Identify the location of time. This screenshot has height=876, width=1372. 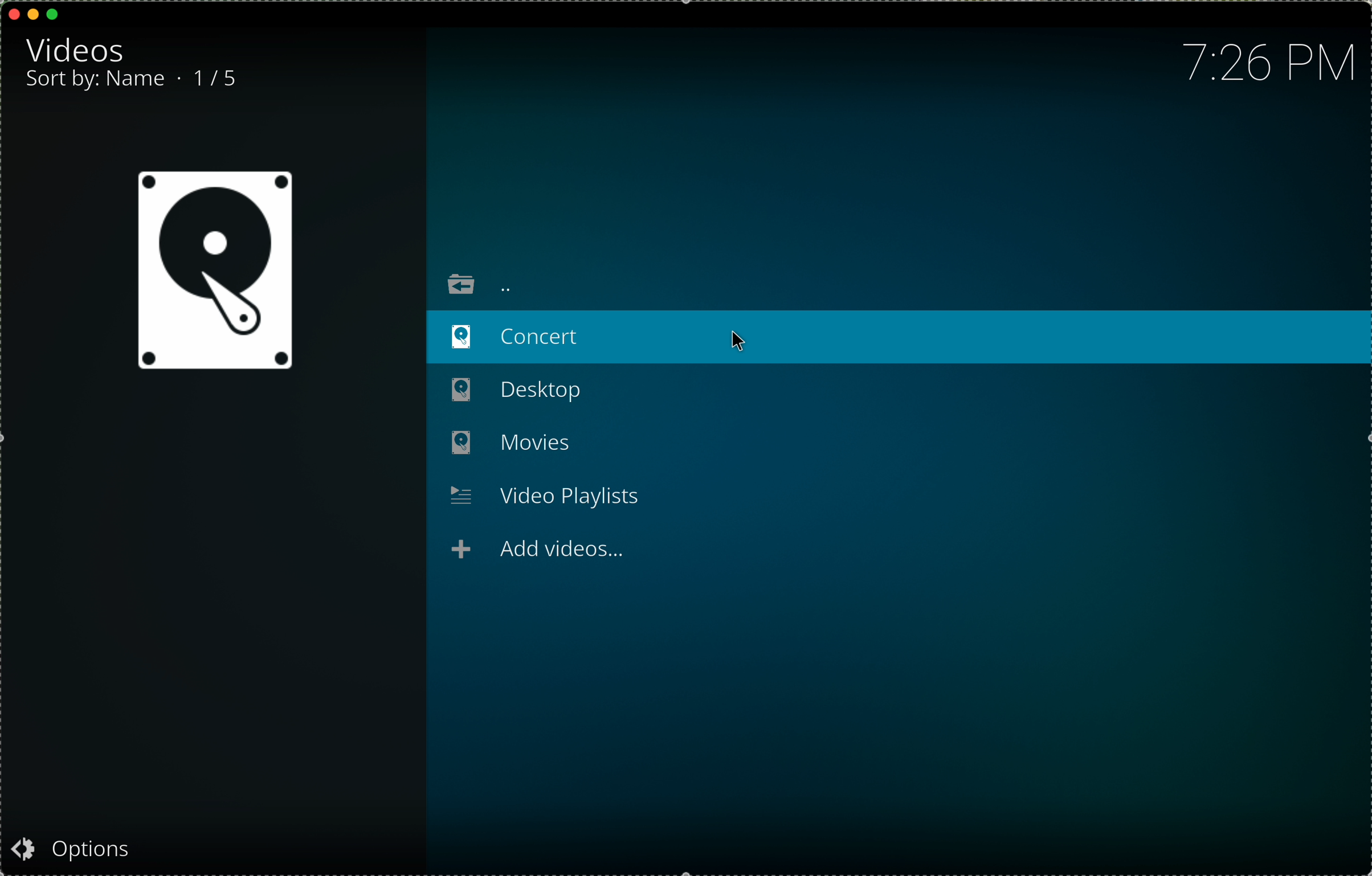
(1264, 66).